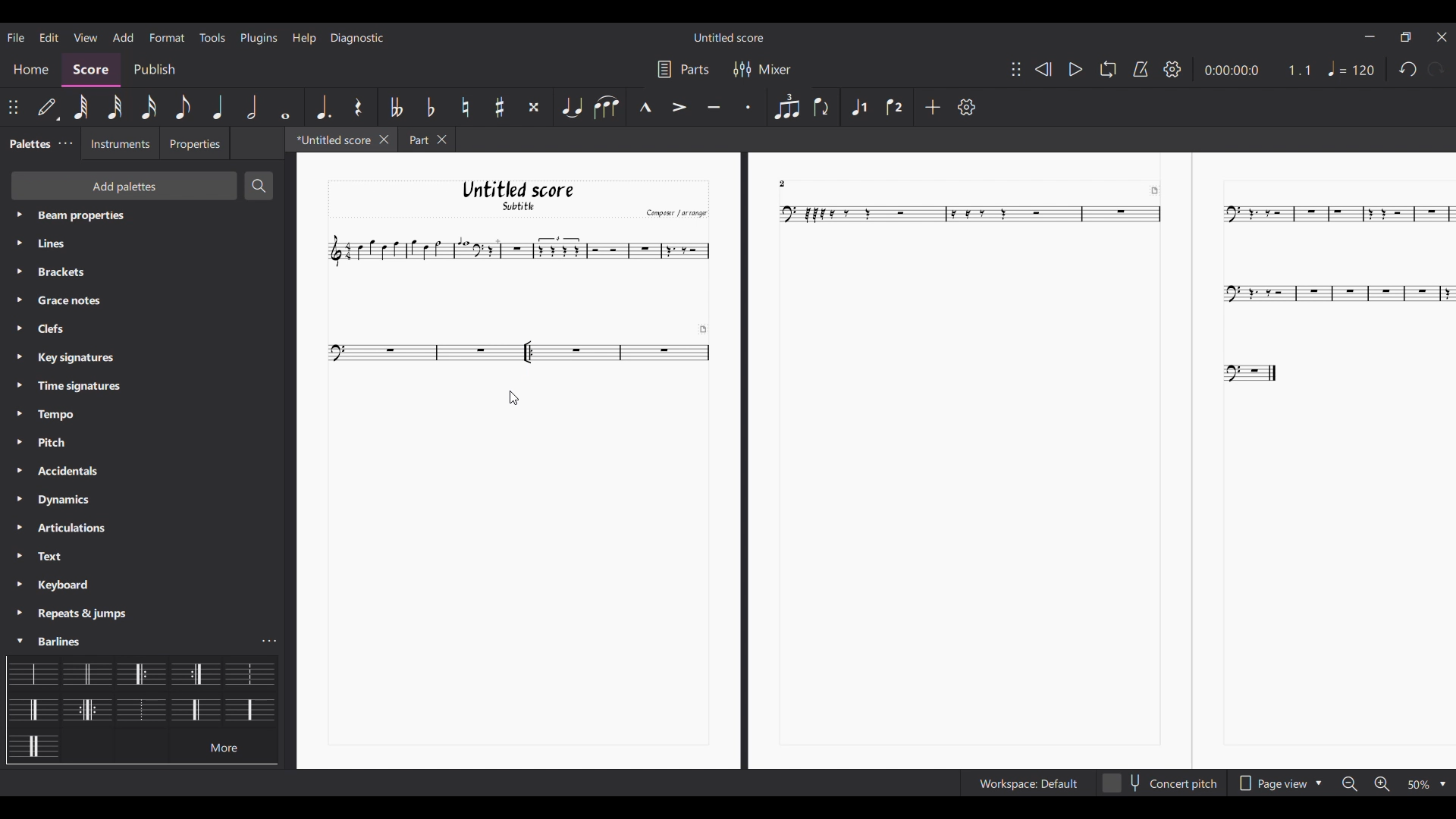  What do you see at coordinates (431, 107) in the screenshot?
I see `Toggle flat` at bounding box center [431, 107].